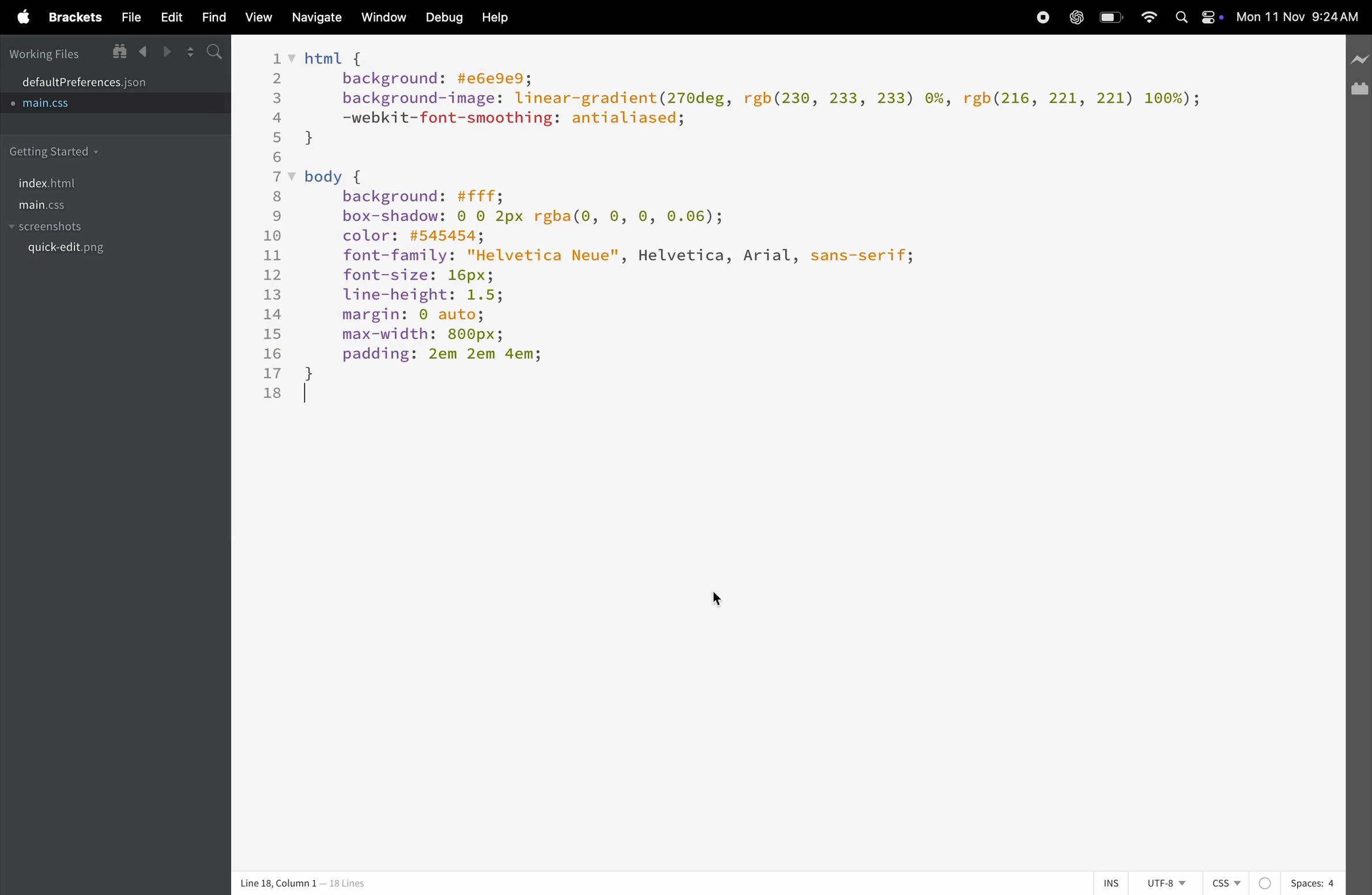 This screenshot has height=895, width=1372. Describe the element at coordinates (758, 231) in the screenshot. I see `html {
background: #e6e9e9;
background-image: linear-gradient(276deg, rgb(230, 233, 233) 0%, rgh(216, 221, 221) 100%);
-webkit-font-smoothing: antialiased;
}
body {
background: #fff;
box-shadow: © © 2px rgba(0, 0, 0, 0.06);
color: #545454;
font-family: "Helvetica Neue", Helvetica, Arial, sans-serif;
font-size: 16px;
line-height: 1.5;
margin: 0 auto;
max-width: 800px;
padding: 2em 2em 4em;
}
|` at that location.